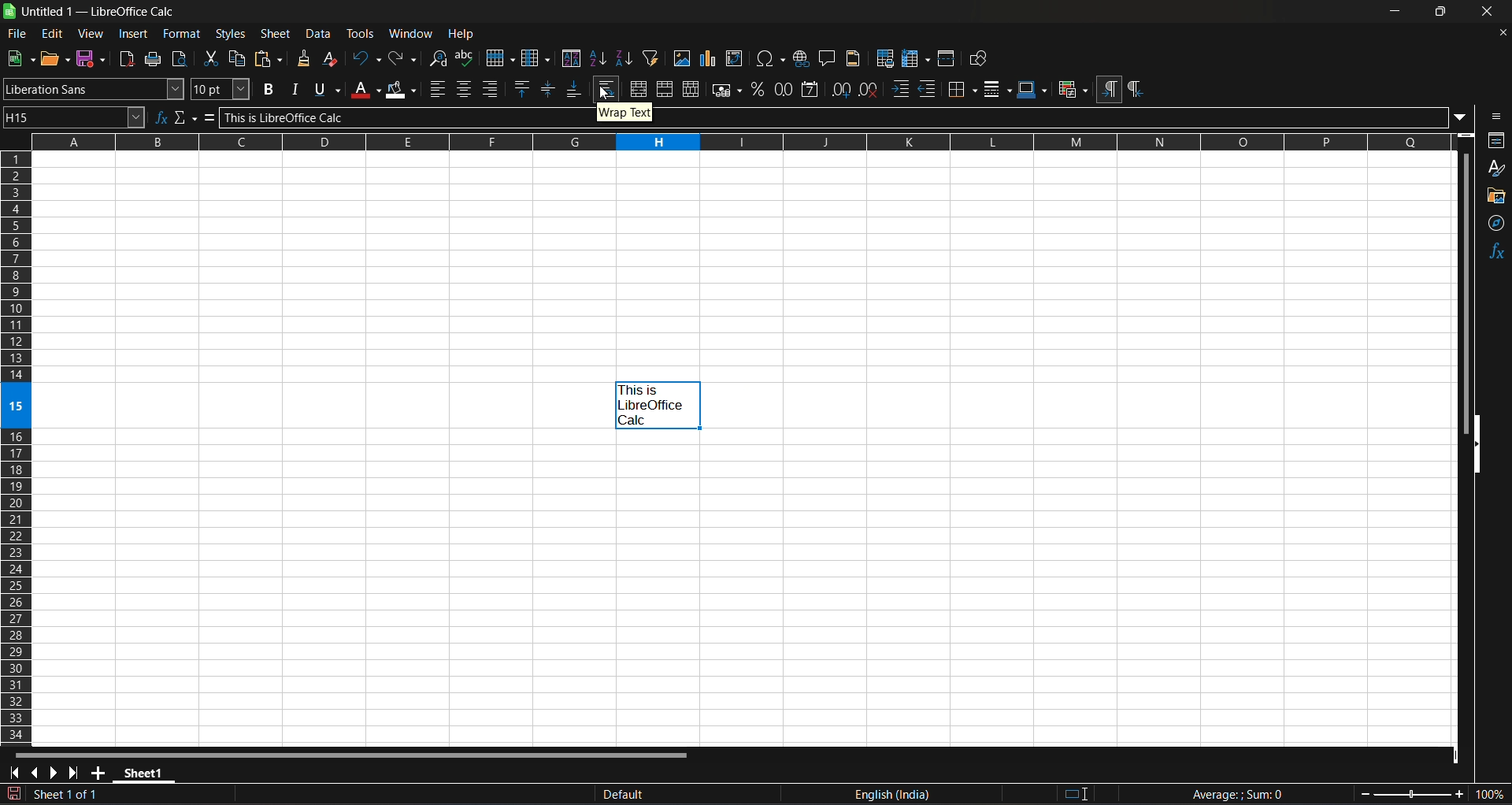  What do you see at coordinates (102, 11) in the screenshot?
I see `title` at bounding box center [102, 11].